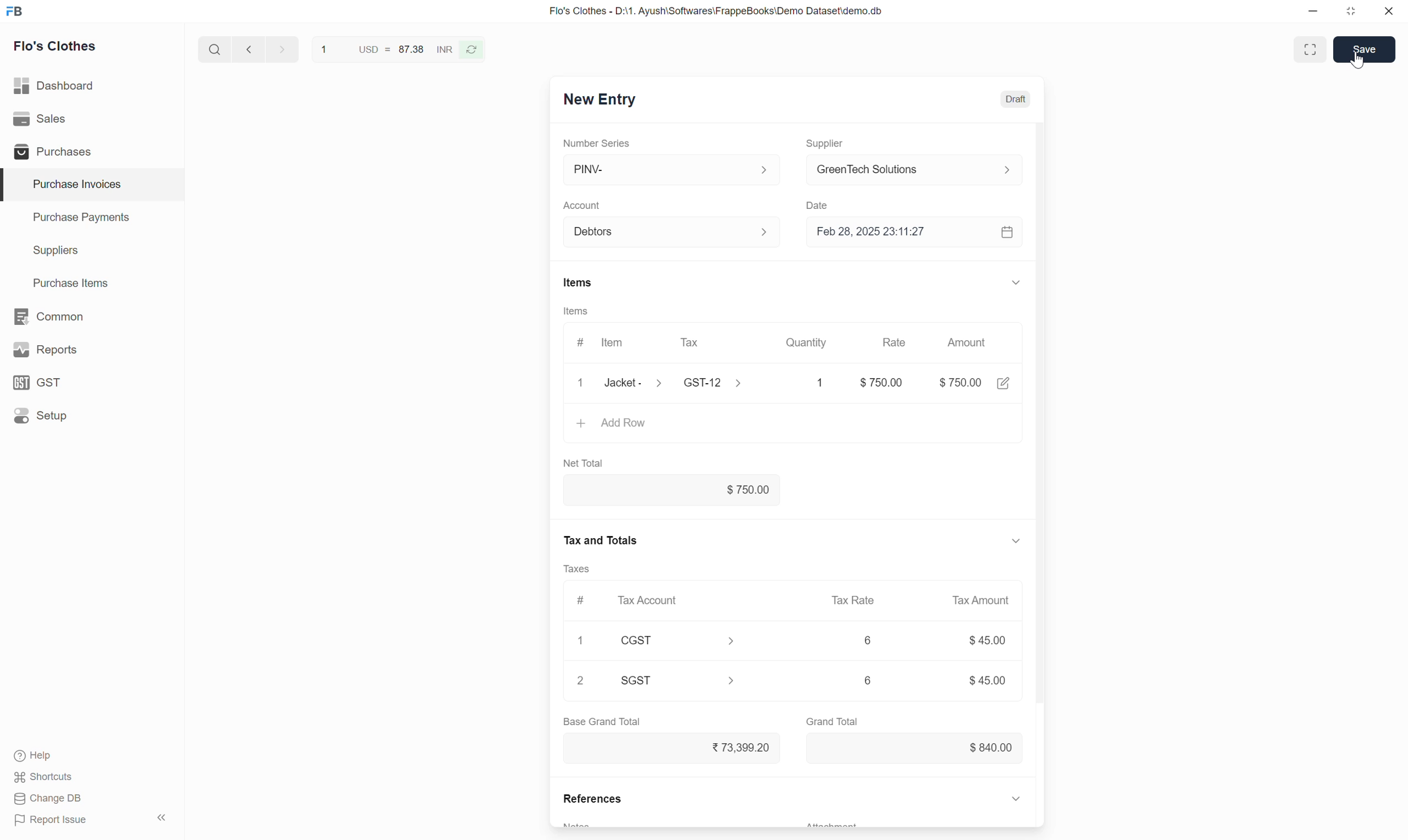 The height and width of the screenshot is (840, 1408). I want to click on Debtors, so click(674, 232).